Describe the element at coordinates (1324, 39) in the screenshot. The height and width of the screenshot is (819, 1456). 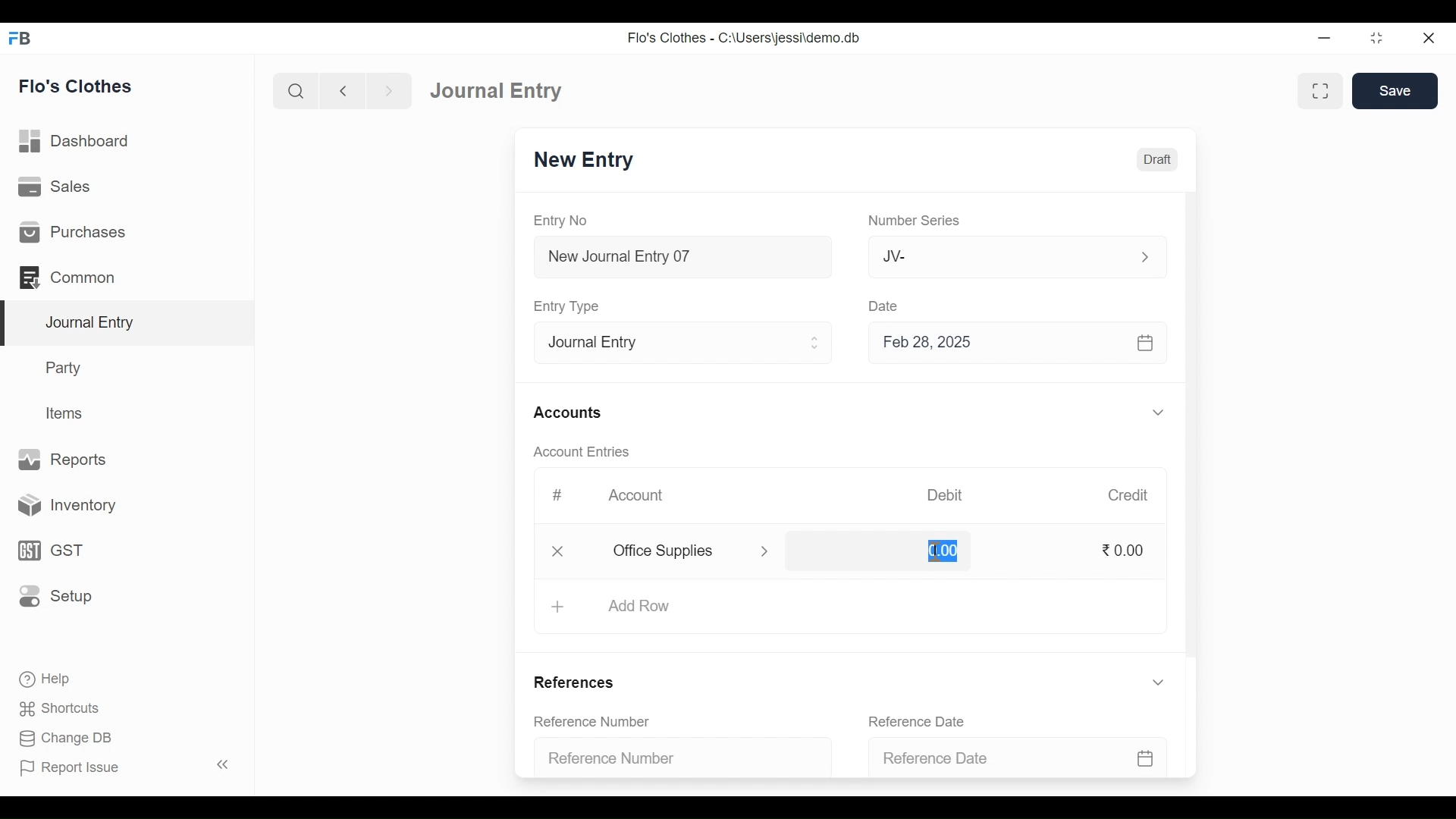
I see `minimize` at that location.